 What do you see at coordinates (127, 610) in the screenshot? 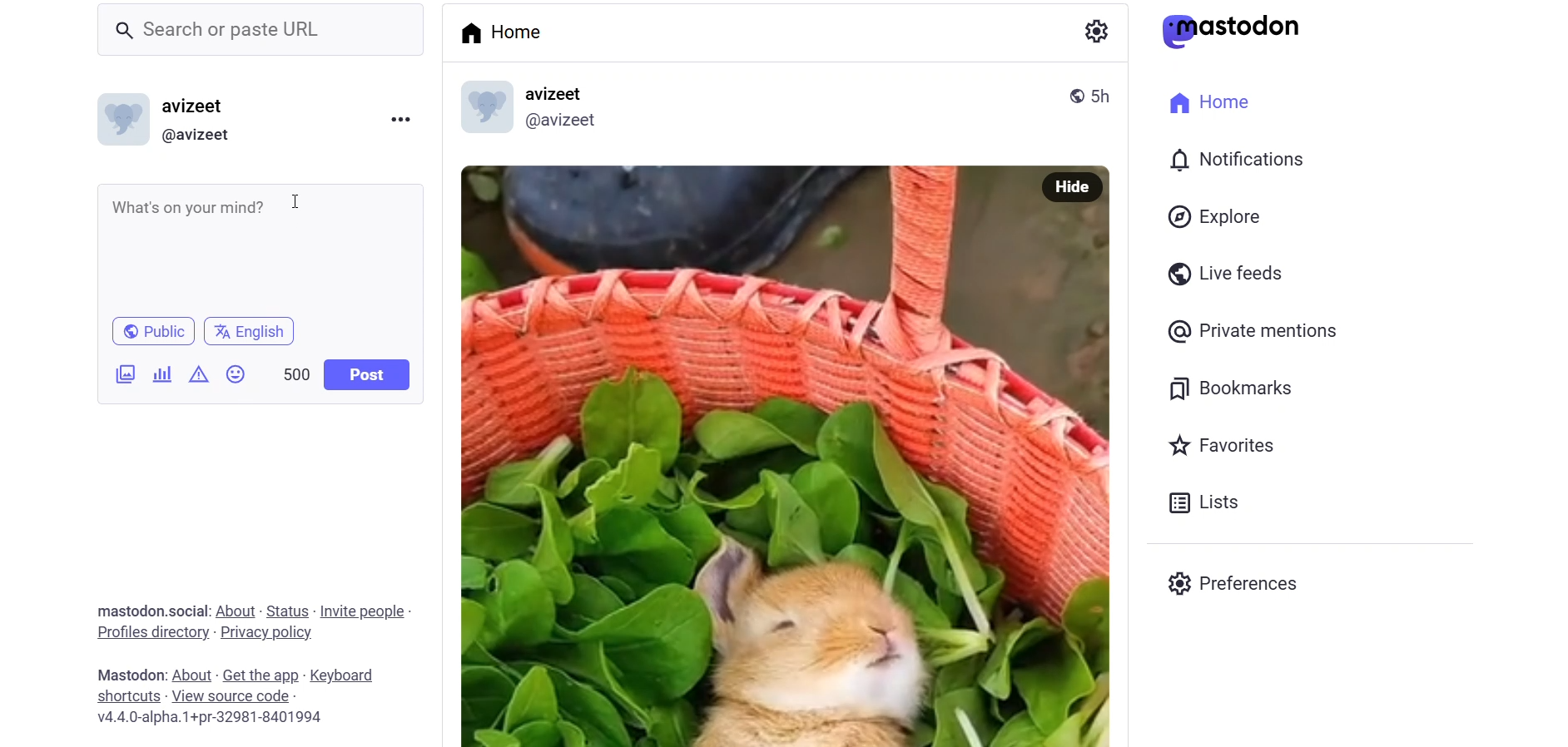
I see `text` at bounding box center [127, 610].